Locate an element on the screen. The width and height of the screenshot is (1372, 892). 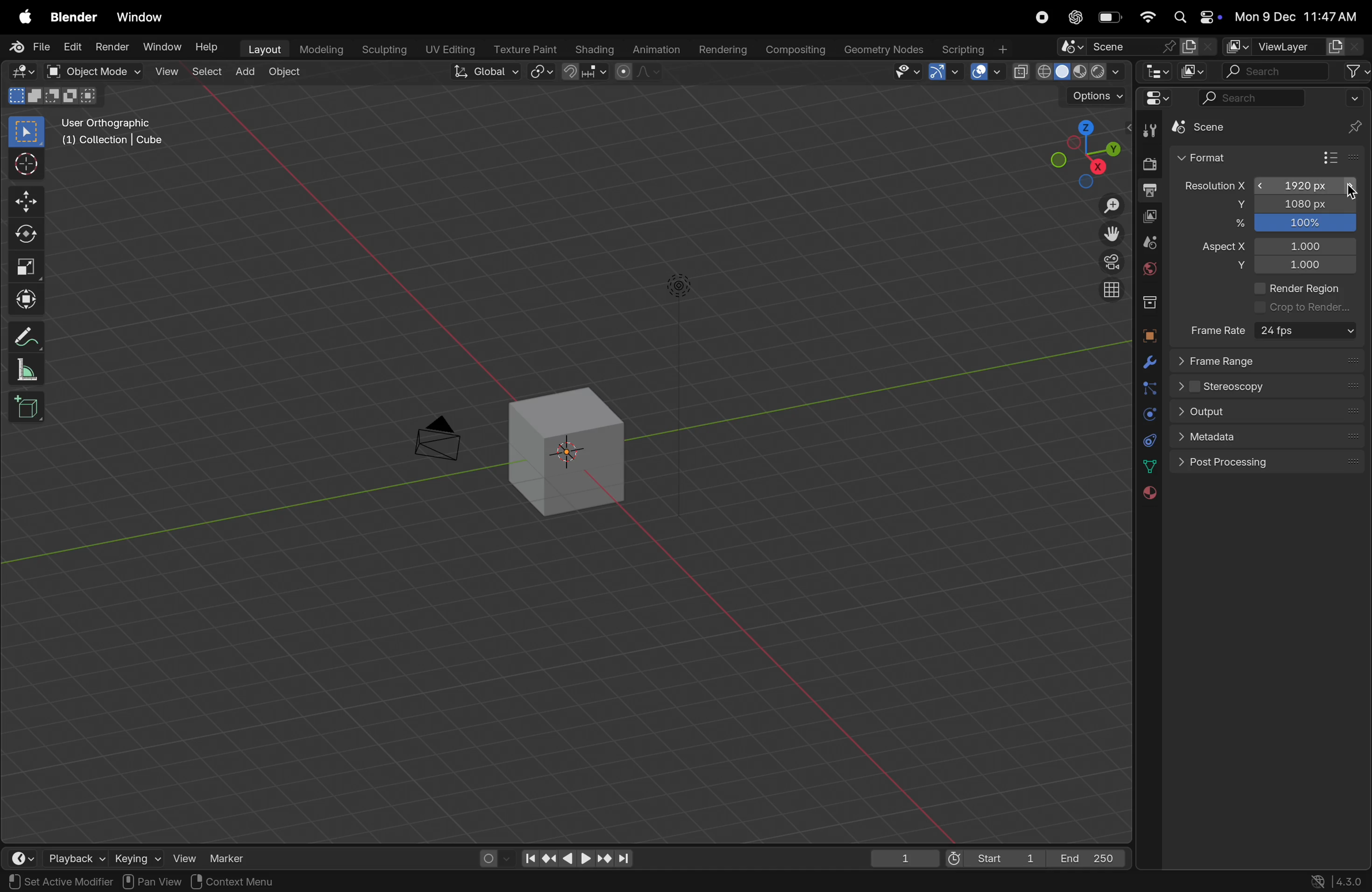
constarints is located at coordinates (1148, 439).